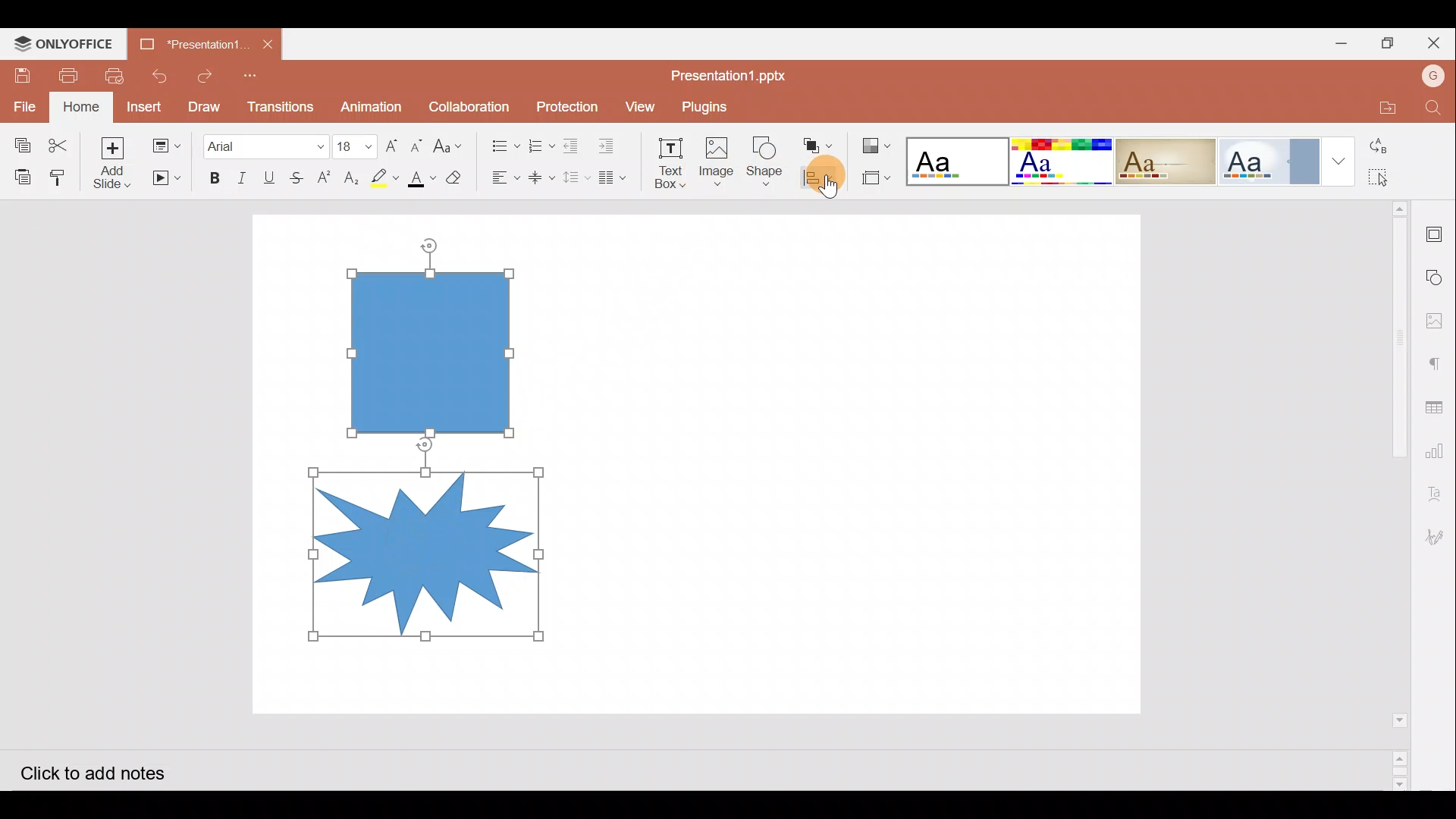 The height and width of the screenshot is (819, 1456). What do you see at coordinates (1389, 147) in the screenshot?
I see `Replace` at bounding box center [1389, 147].